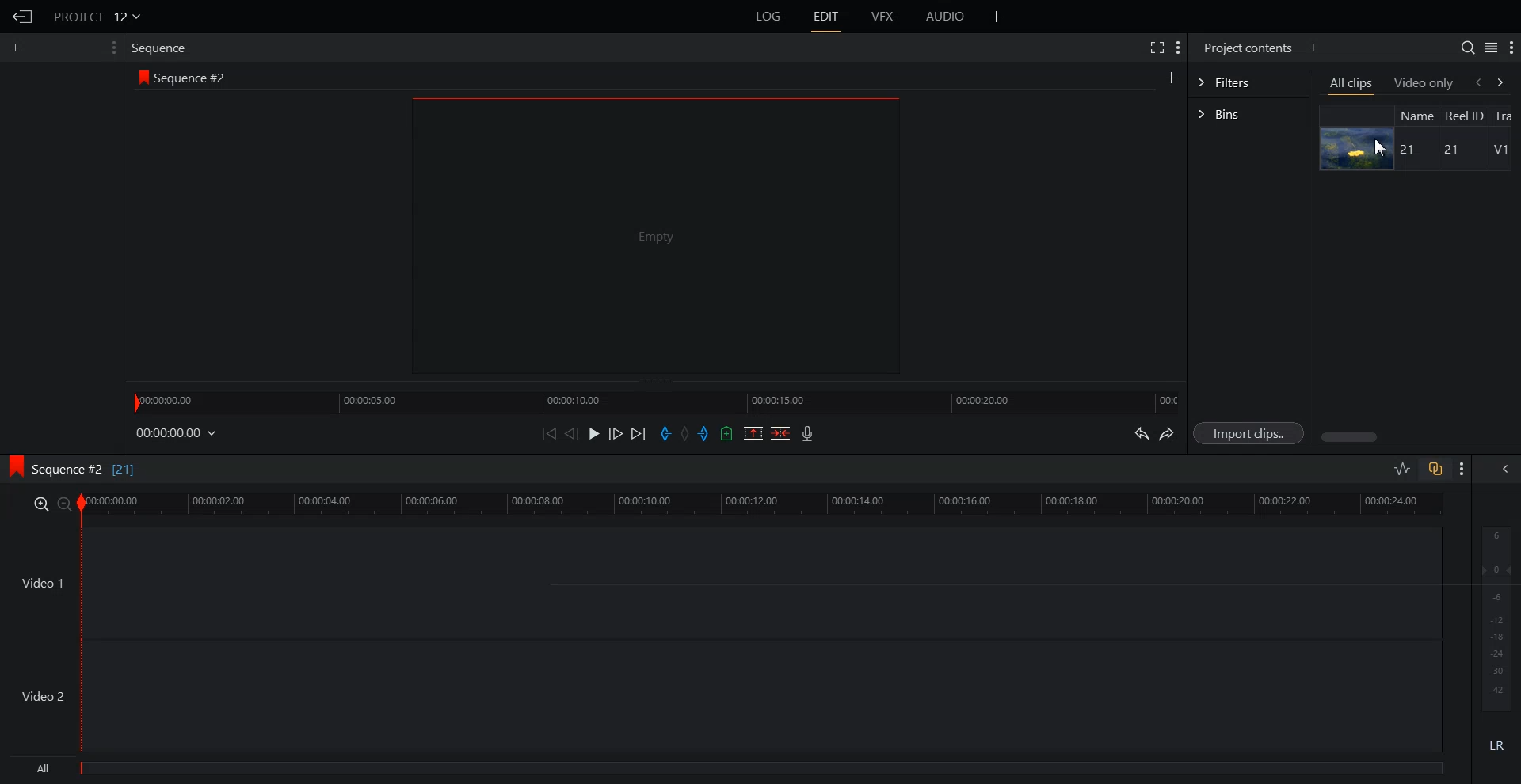 This screenshot has width=1521, height=784. Describe the element at coordinates (17, 48) in the screenshot. I see `Add Panel` at that location.